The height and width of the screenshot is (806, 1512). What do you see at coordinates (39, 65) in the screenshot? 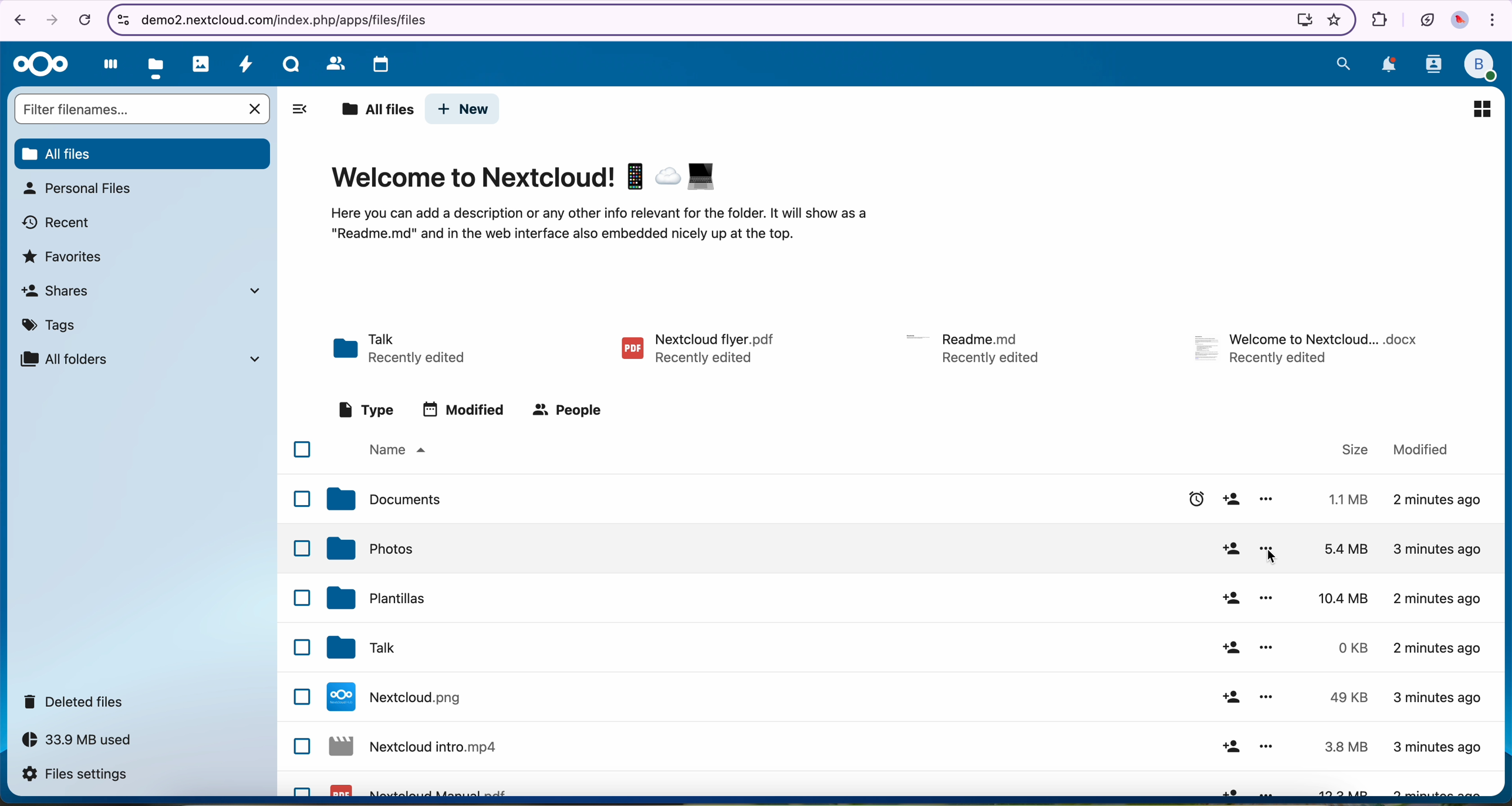
I see `Nextcloud logo` at bounding box center [39, 65].